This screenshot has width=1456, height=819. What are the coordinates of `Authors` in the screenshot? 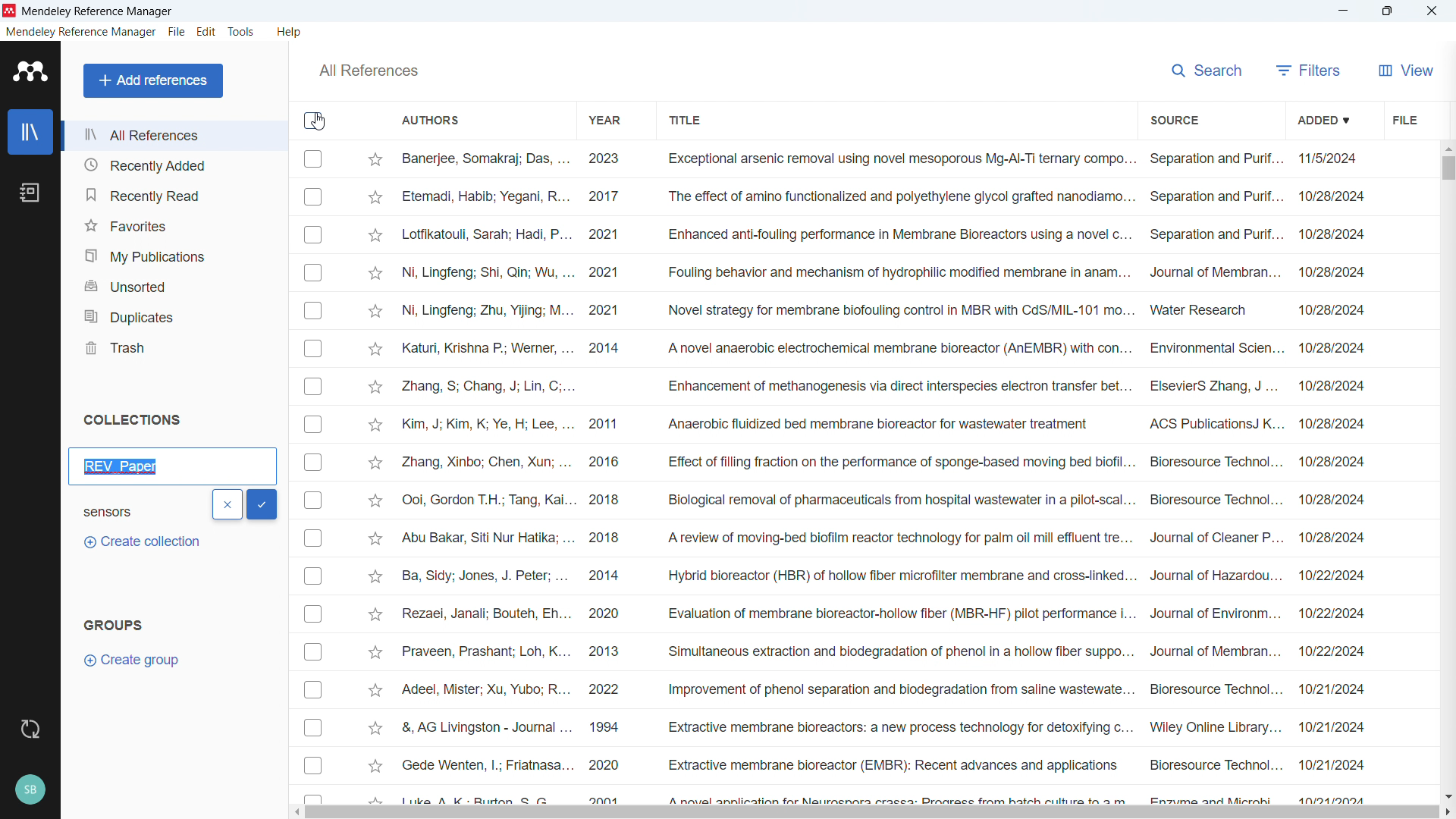 It's located at (431, 121).